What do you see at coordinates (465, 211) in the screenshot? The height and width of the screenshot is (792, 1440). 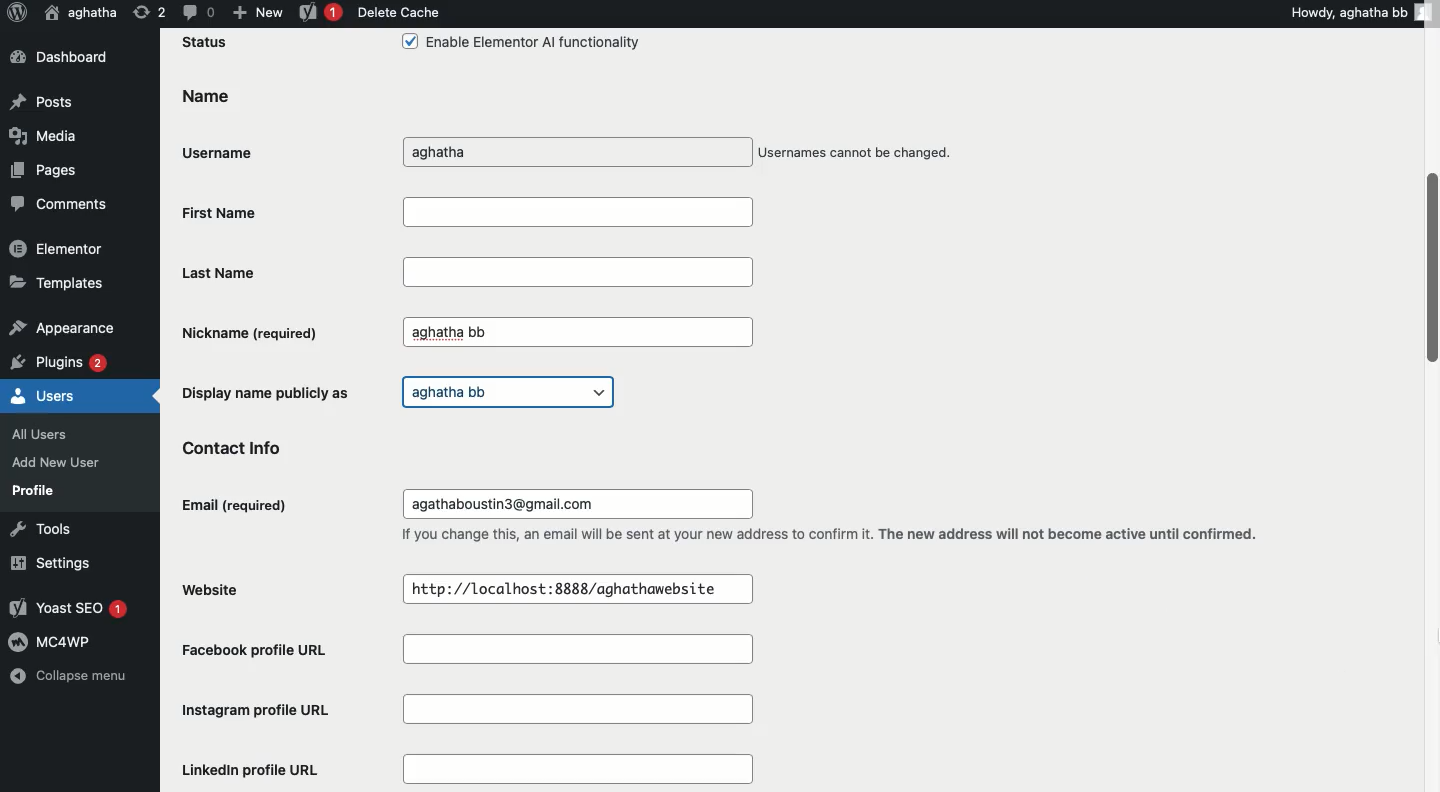 I see `First Name` at bounding box center [465, 211].